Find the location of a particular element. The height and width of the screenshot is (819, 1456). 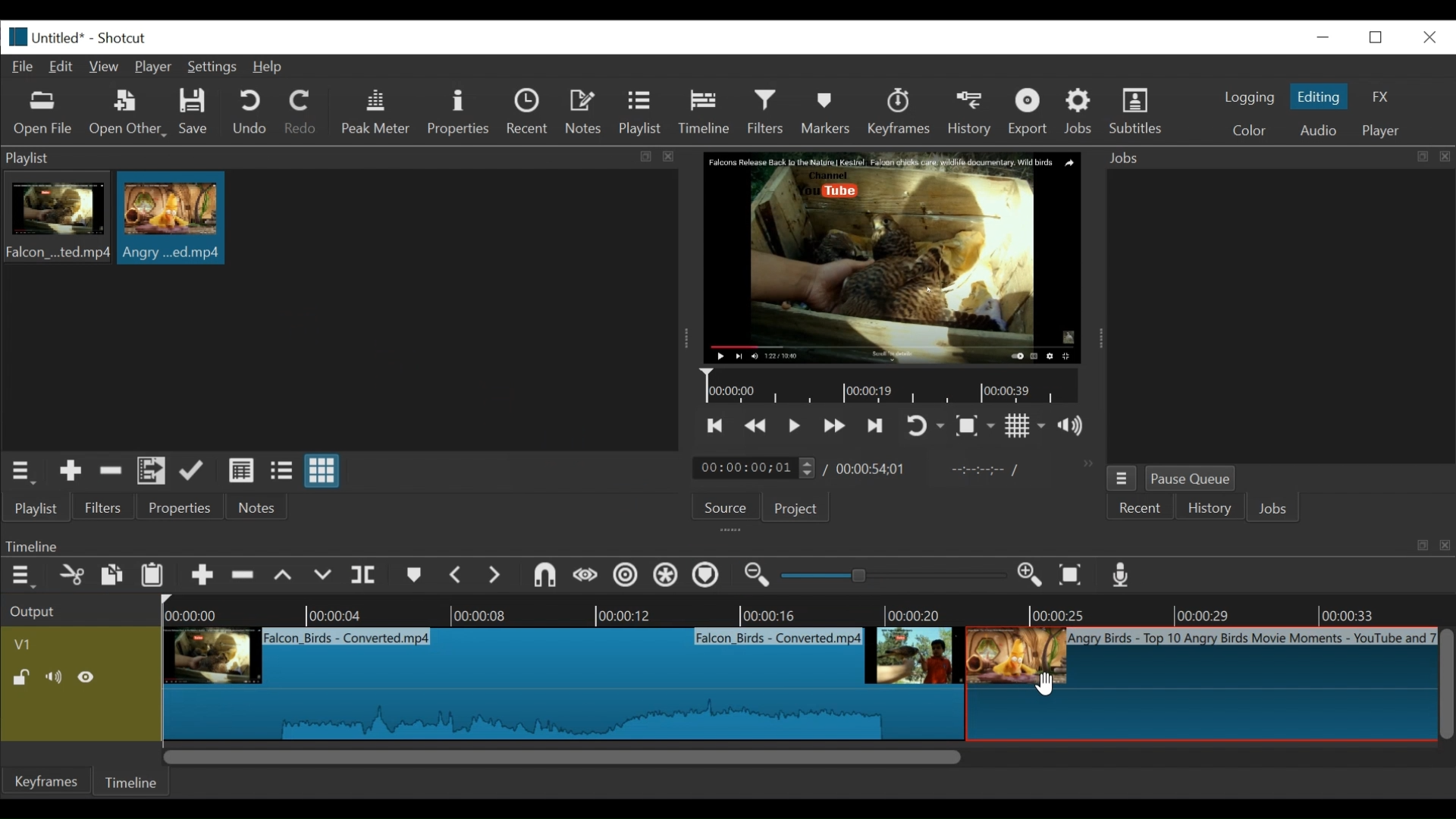

current duration is located at coordinates (756, 469).